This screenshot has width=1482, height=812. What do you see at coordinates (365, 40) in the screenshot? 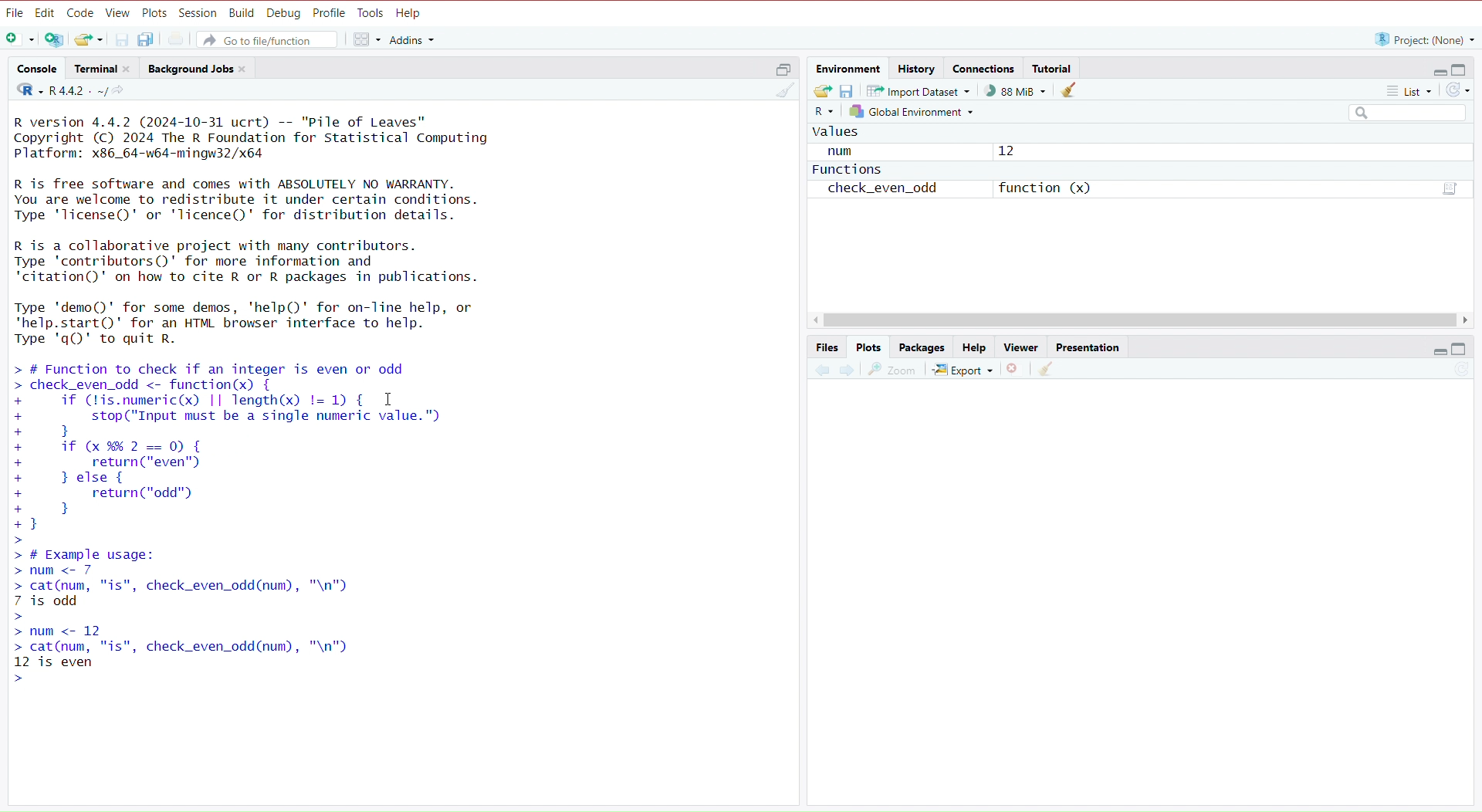
I see `workspace panes` at bounding box center [365, 40].